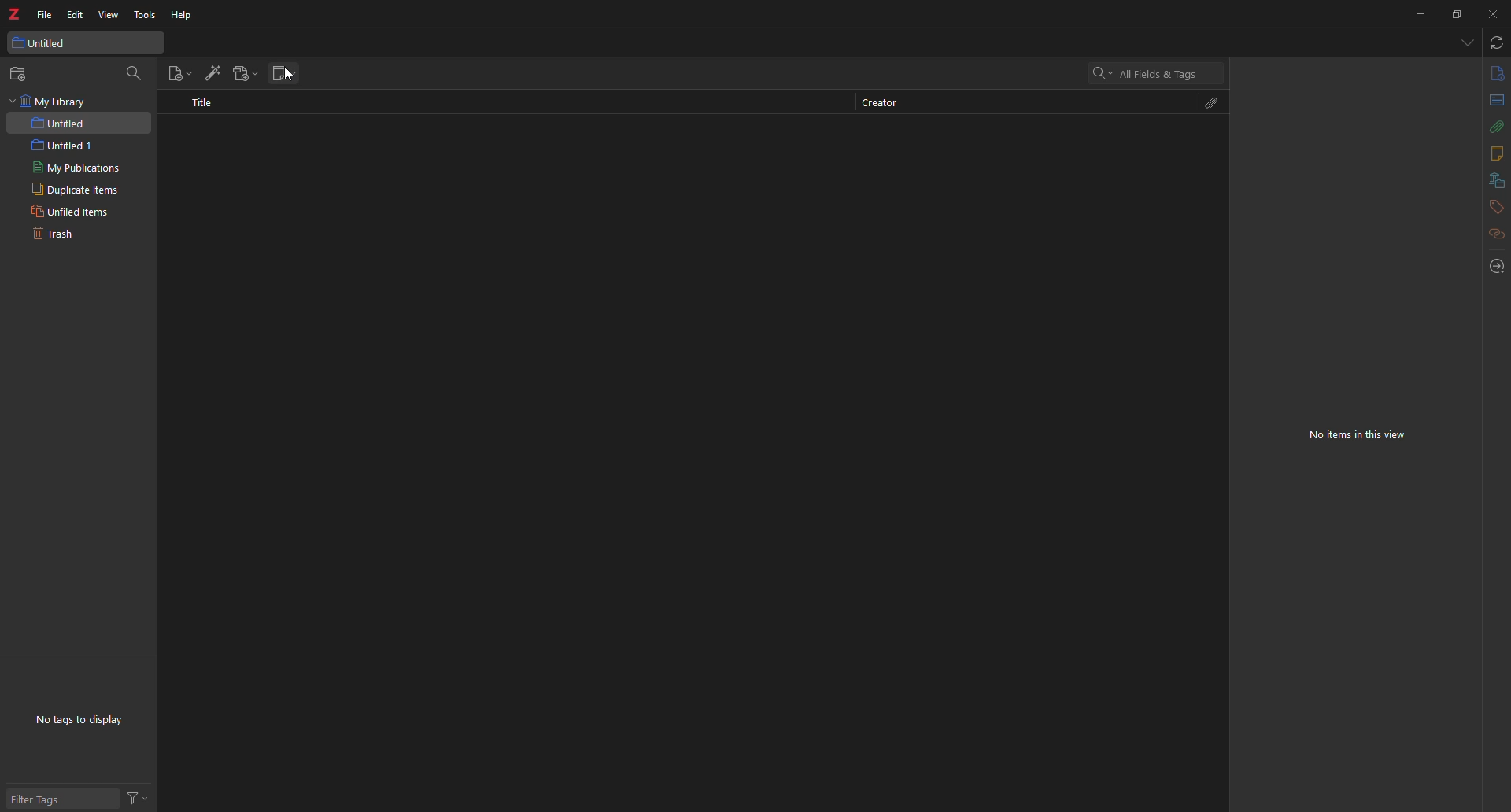 This screenshot has width=1511, height=812. What do you see at coordinates (1414, 16) in the screenshot?
I see `minimize` at bounding box center [1414, 16].